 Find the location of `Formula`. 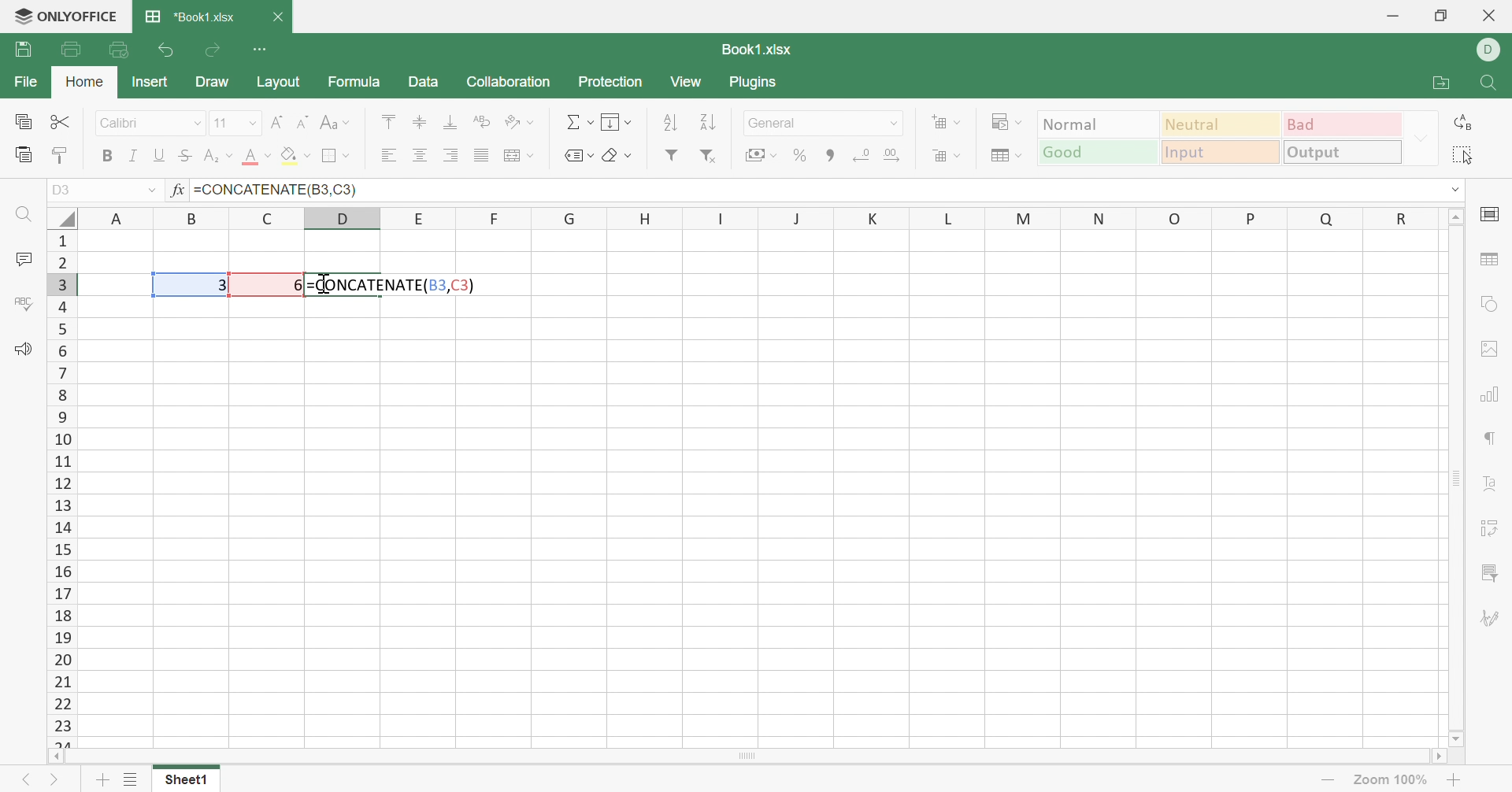

Formula is located at coordinates (354, 81).